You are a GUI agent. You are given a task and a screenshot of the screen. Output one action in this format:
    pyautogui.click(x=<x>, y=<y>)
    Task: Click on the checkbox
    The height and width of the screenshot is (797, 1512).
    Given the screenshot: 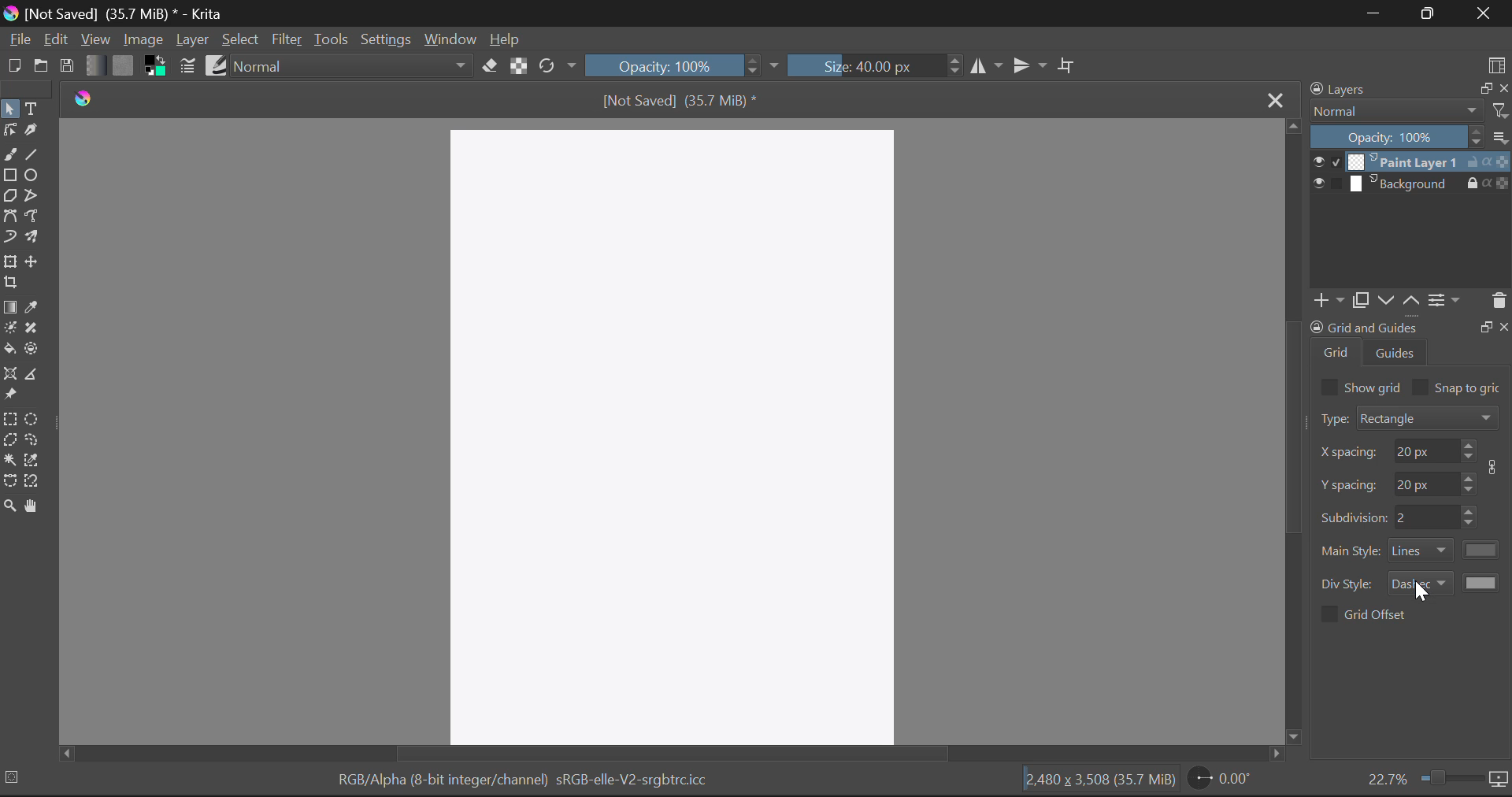 What is the action you would take?
    pyautogui.click(x=1328, y=614)
    